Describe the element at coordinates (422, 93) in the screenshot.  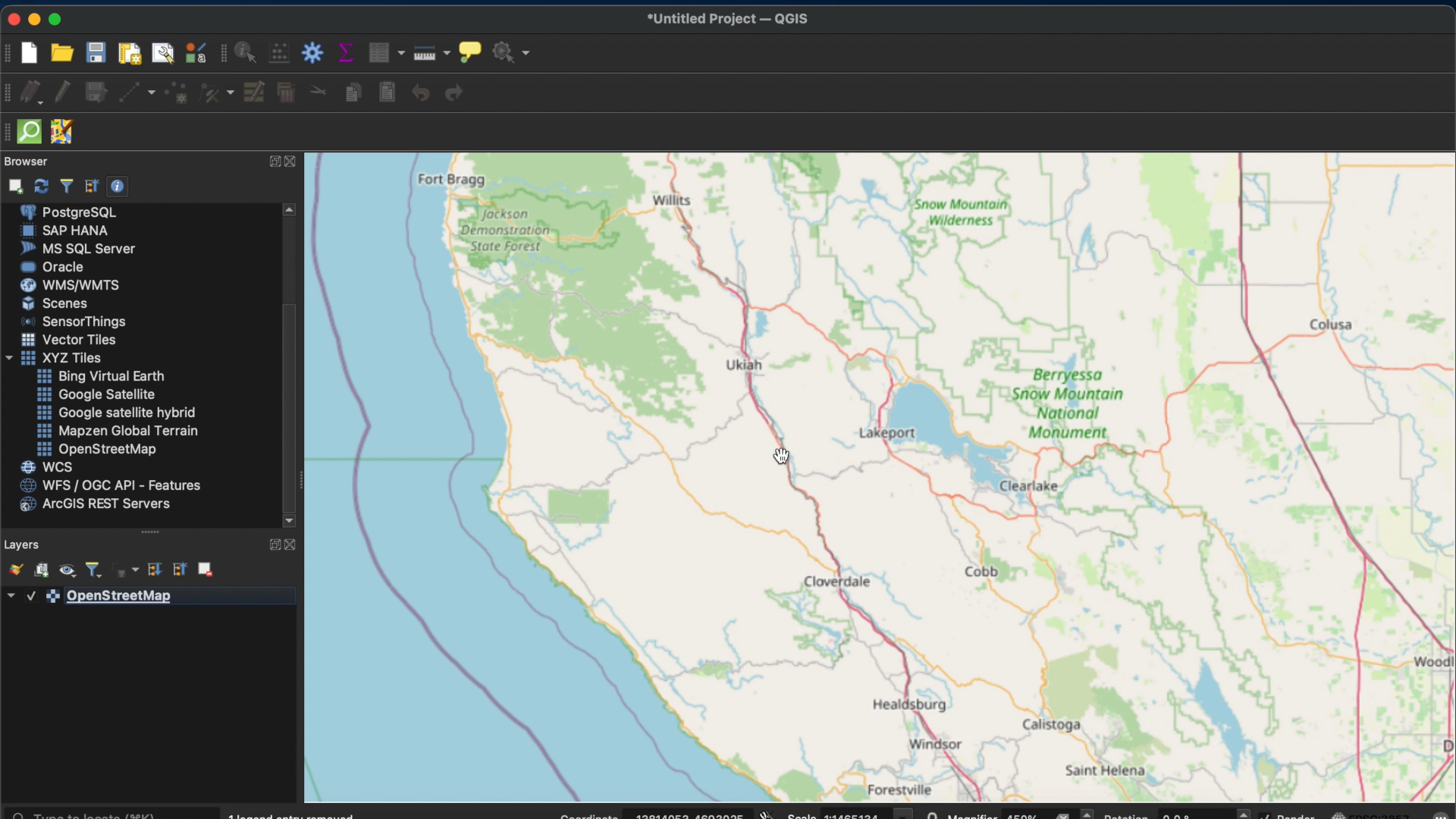
I see `undo` at that location.